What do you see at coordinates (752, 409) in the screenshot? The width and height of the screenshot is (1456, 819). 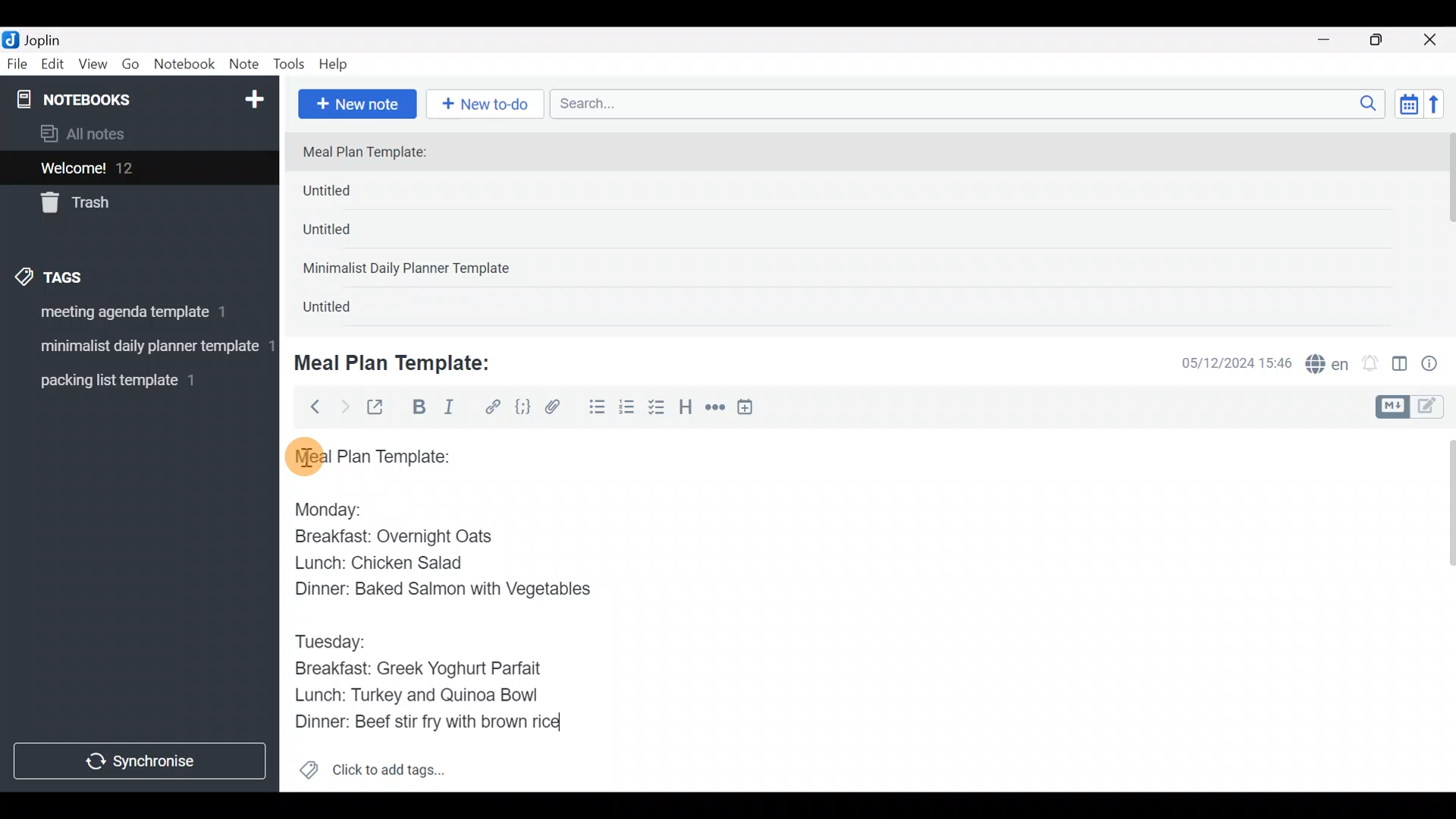 I see `Insert time` at bounding box center [752, 409].